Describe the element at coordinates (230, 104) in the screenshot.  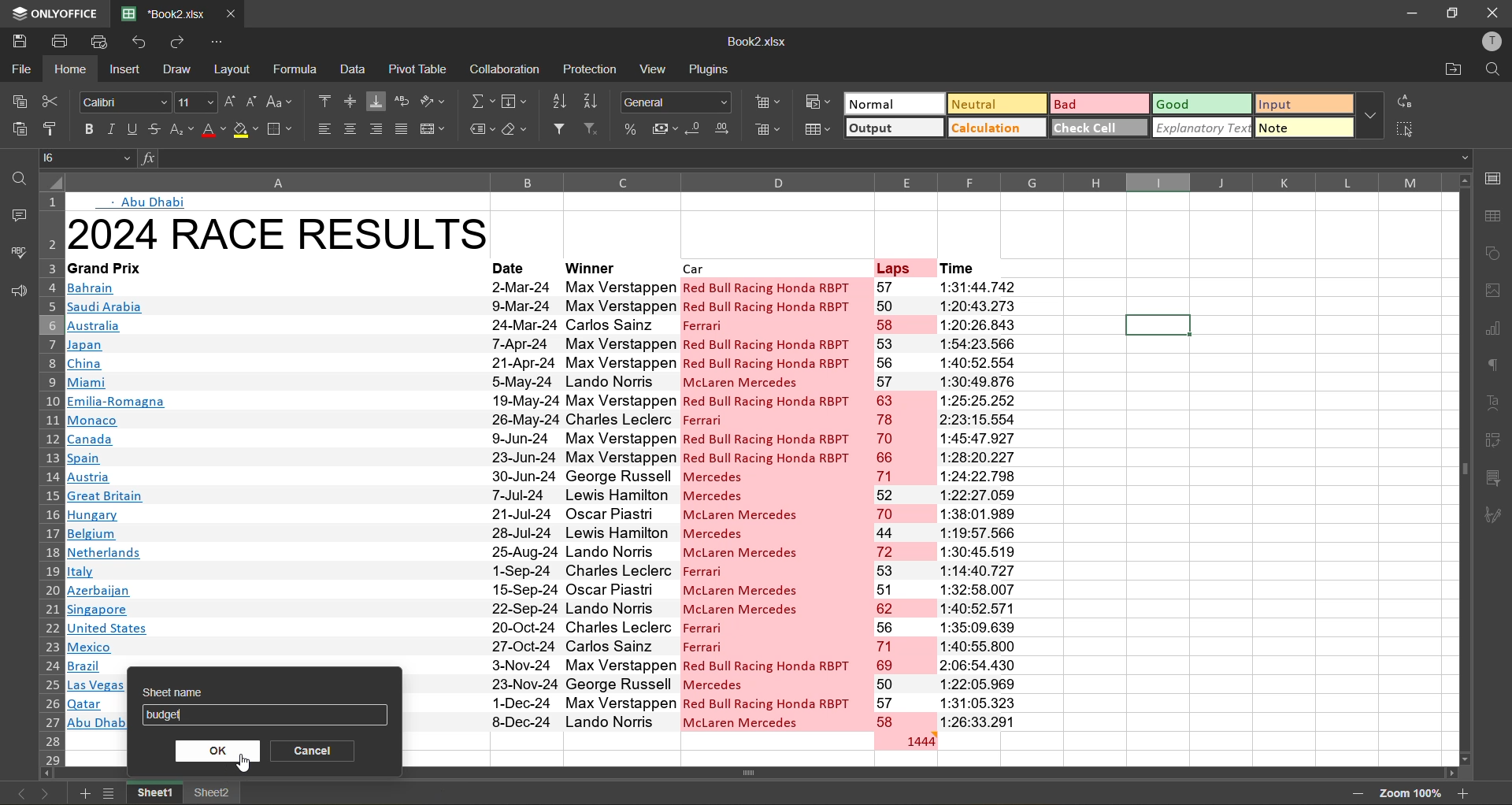
I see `increment size` at that location.